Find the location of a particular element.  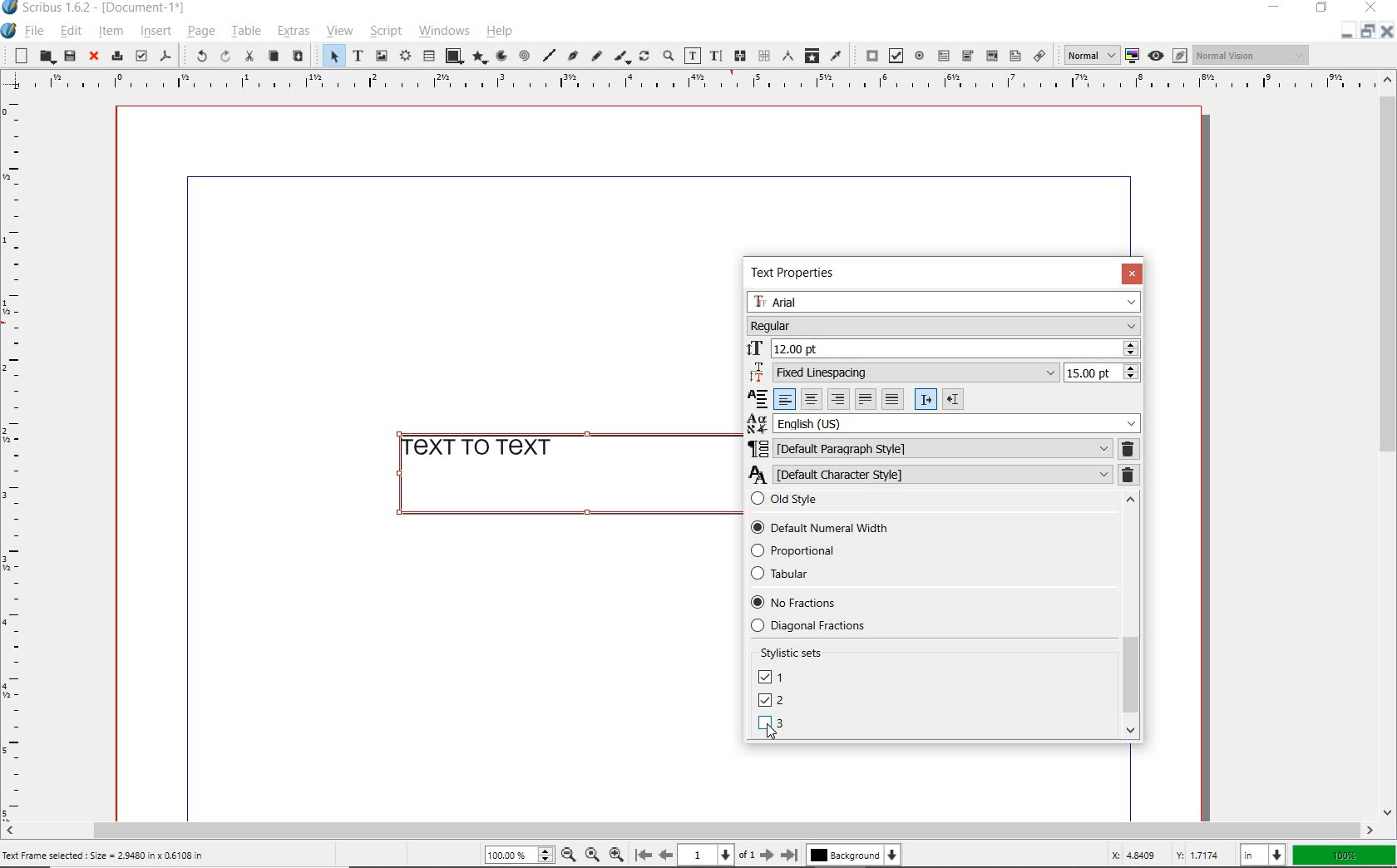

Cursor is located at coordinates (771, 730).